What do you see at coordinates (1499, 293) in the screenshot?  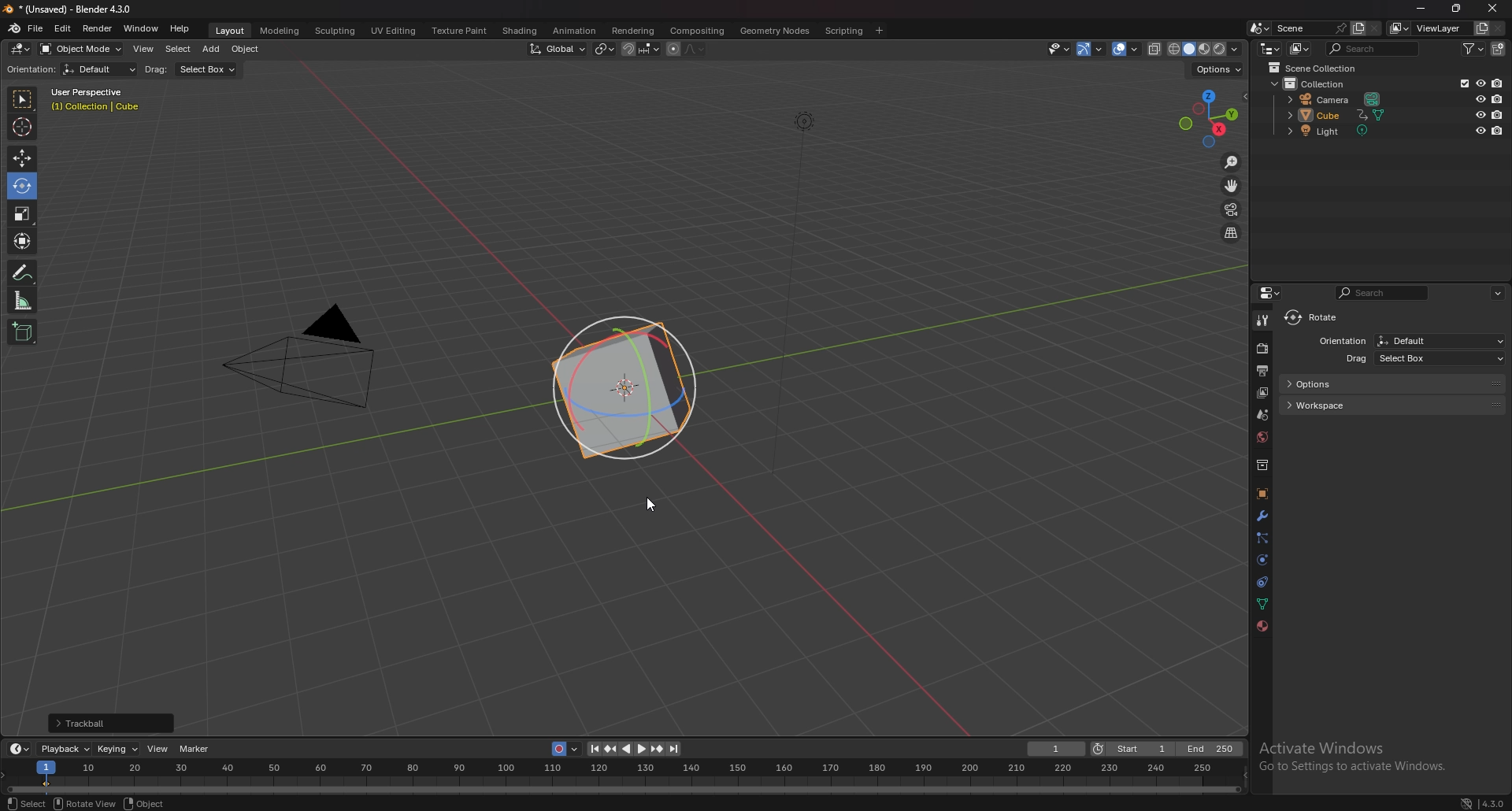 I see `options` at bounding box center [1499, 293].